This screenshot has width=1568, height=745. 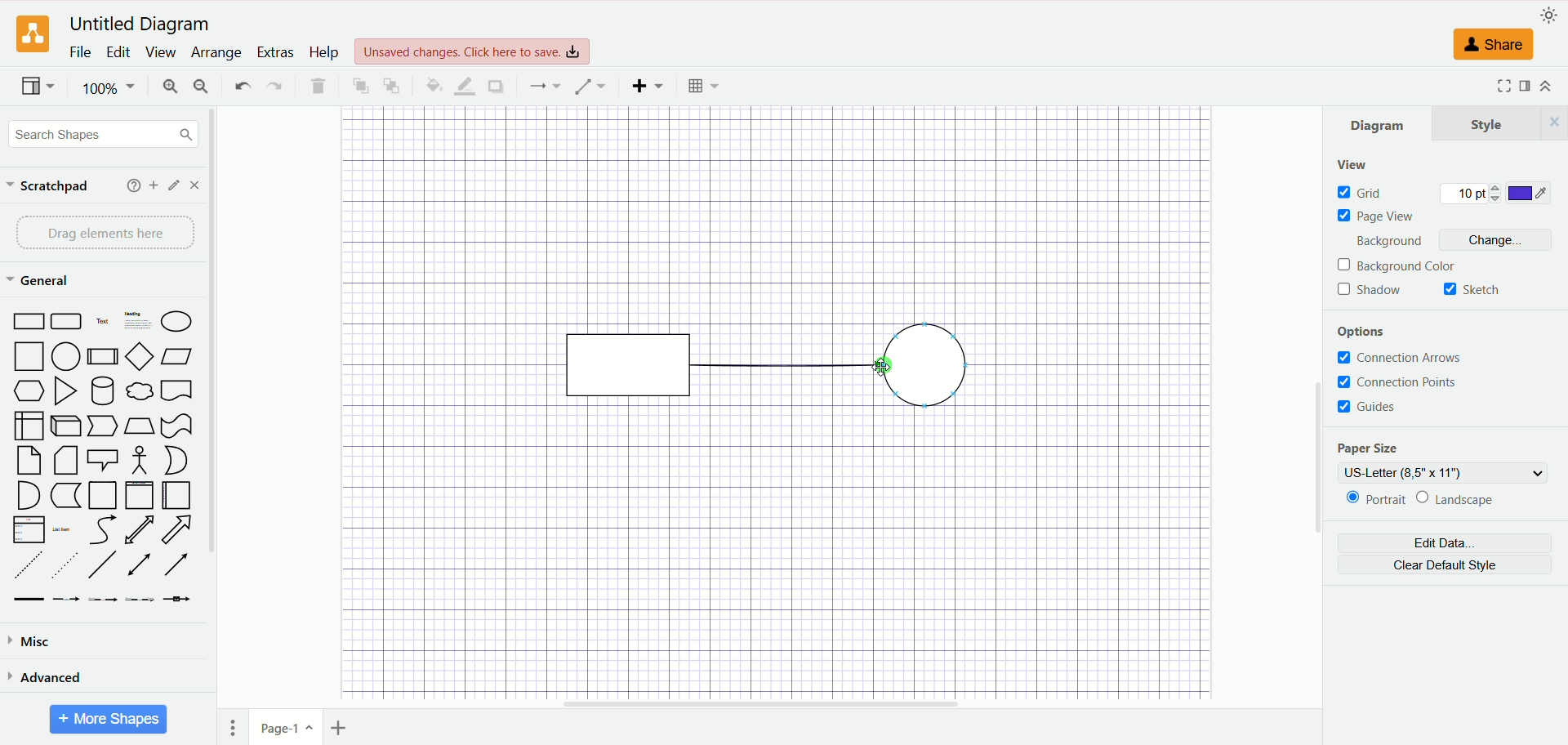 I want to click on Vertical Page, so click(x=140, y=495).